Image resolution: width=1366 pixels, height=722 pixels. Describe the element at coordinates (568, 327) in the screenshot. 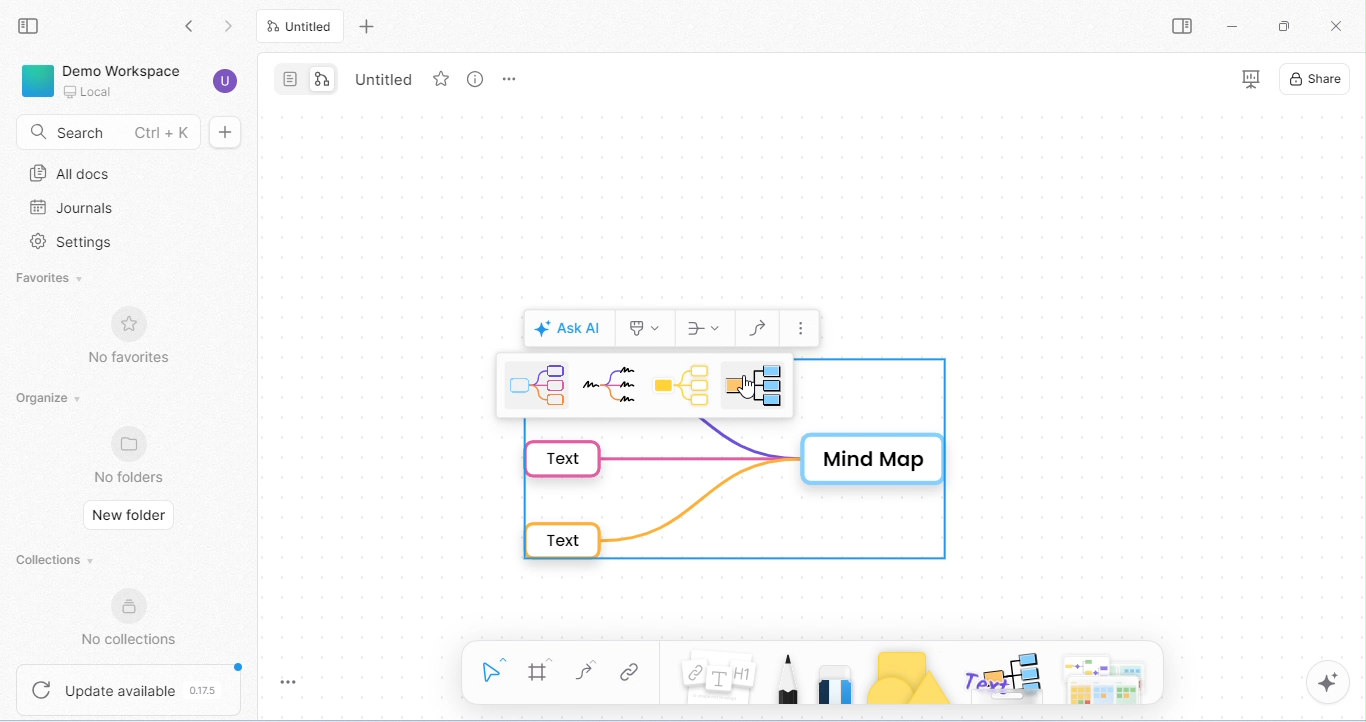

I see `Ask AI` at that location.